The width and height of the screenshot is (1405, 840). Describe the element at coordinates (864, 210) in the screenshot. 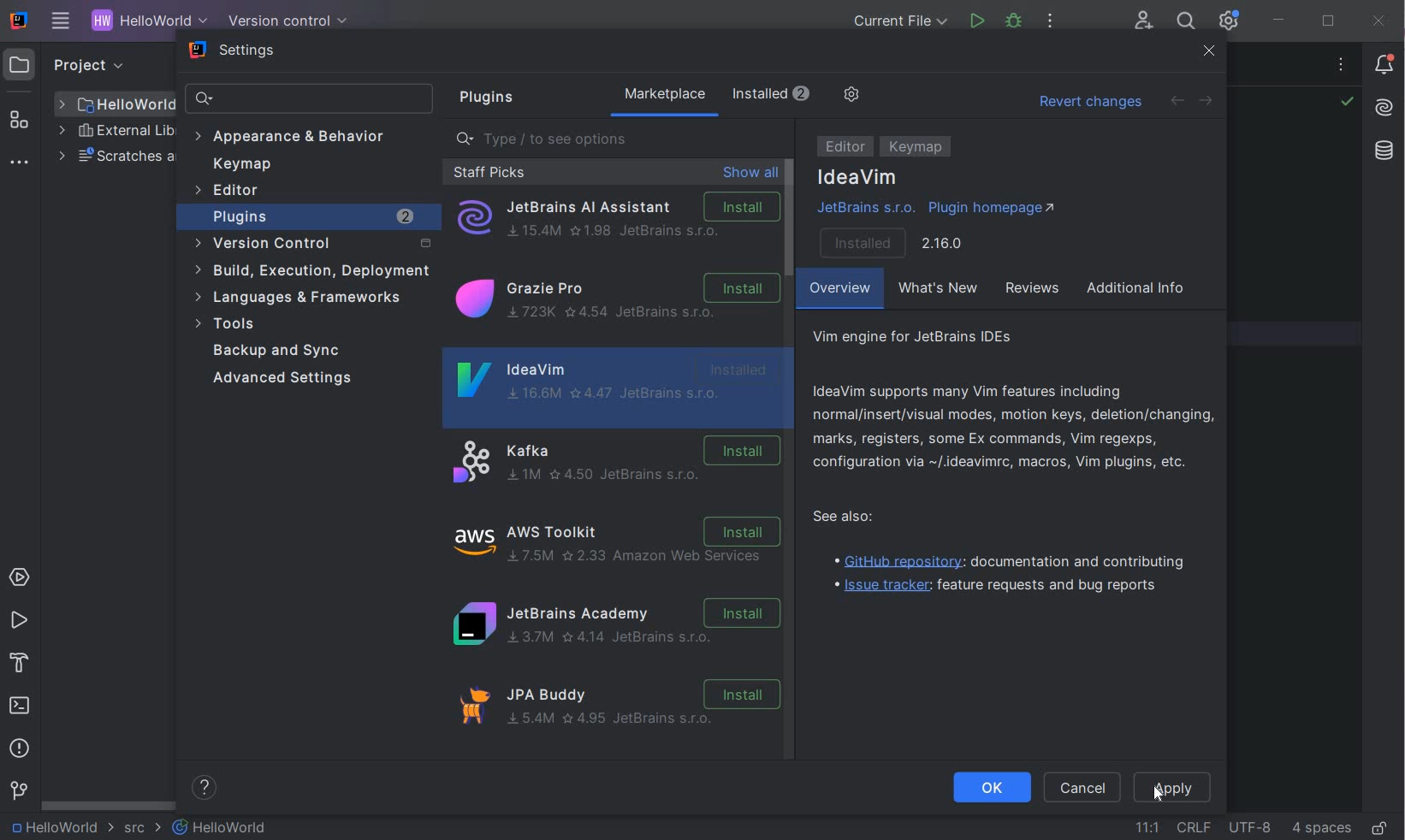

I see `JetBrains s.r.o` at that location.